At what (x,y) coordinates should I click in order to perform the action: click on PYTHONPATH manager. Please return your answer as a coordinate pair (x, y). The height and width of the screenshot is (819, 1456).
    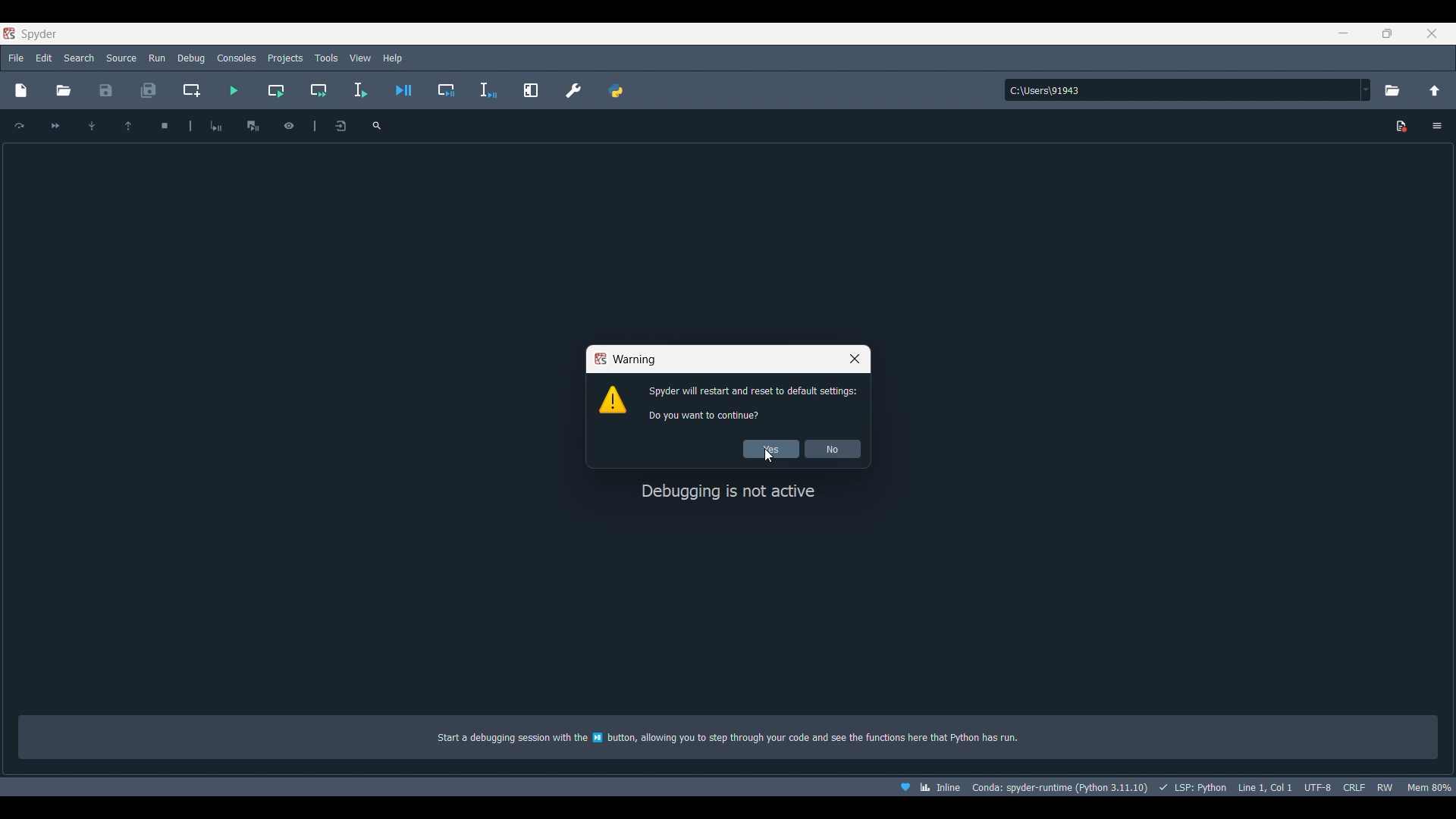
    Looking at the image, I should click on (616, 90).